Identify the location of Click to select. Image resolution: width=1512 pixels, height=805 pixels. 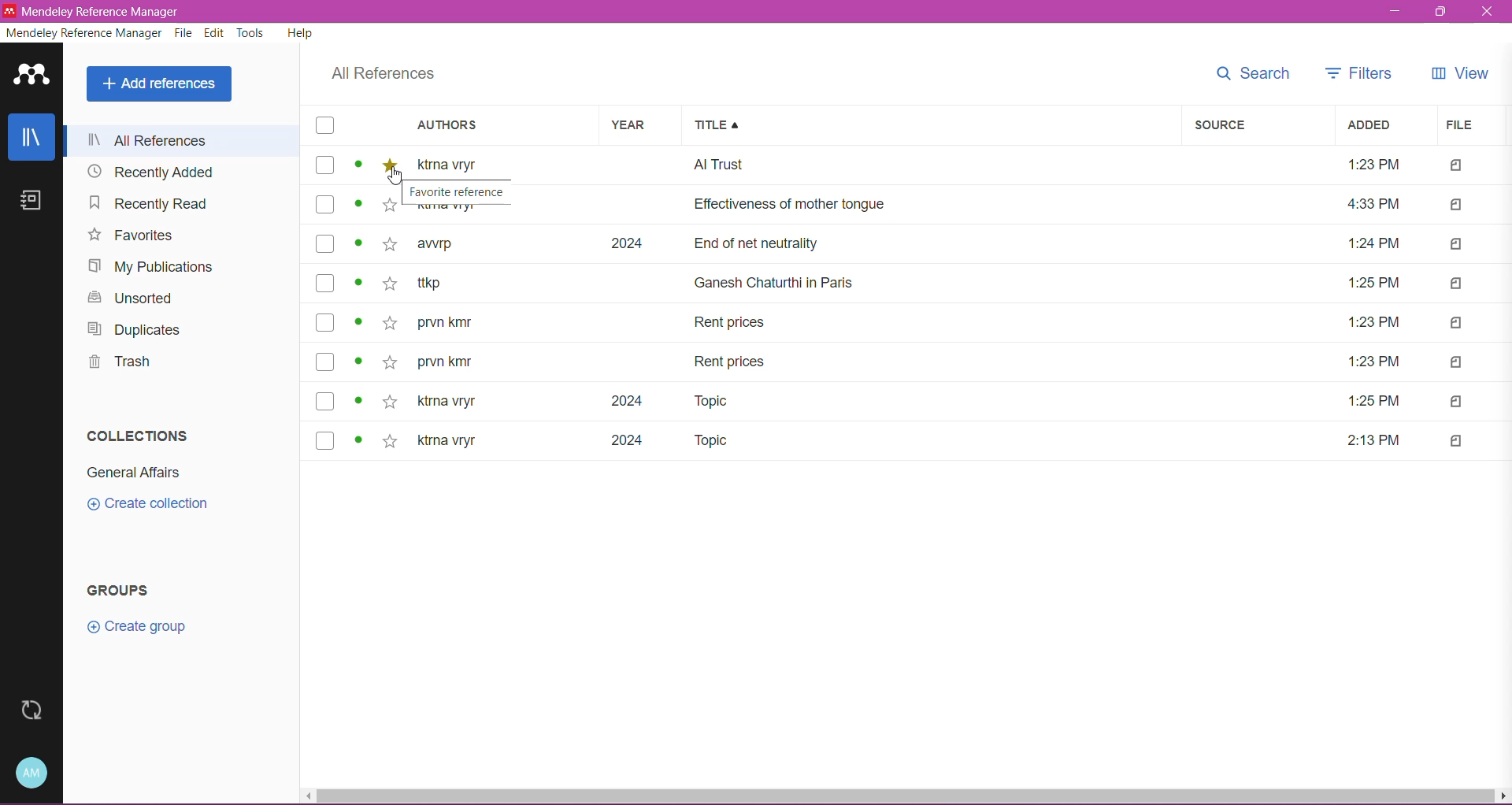
(325, 401).